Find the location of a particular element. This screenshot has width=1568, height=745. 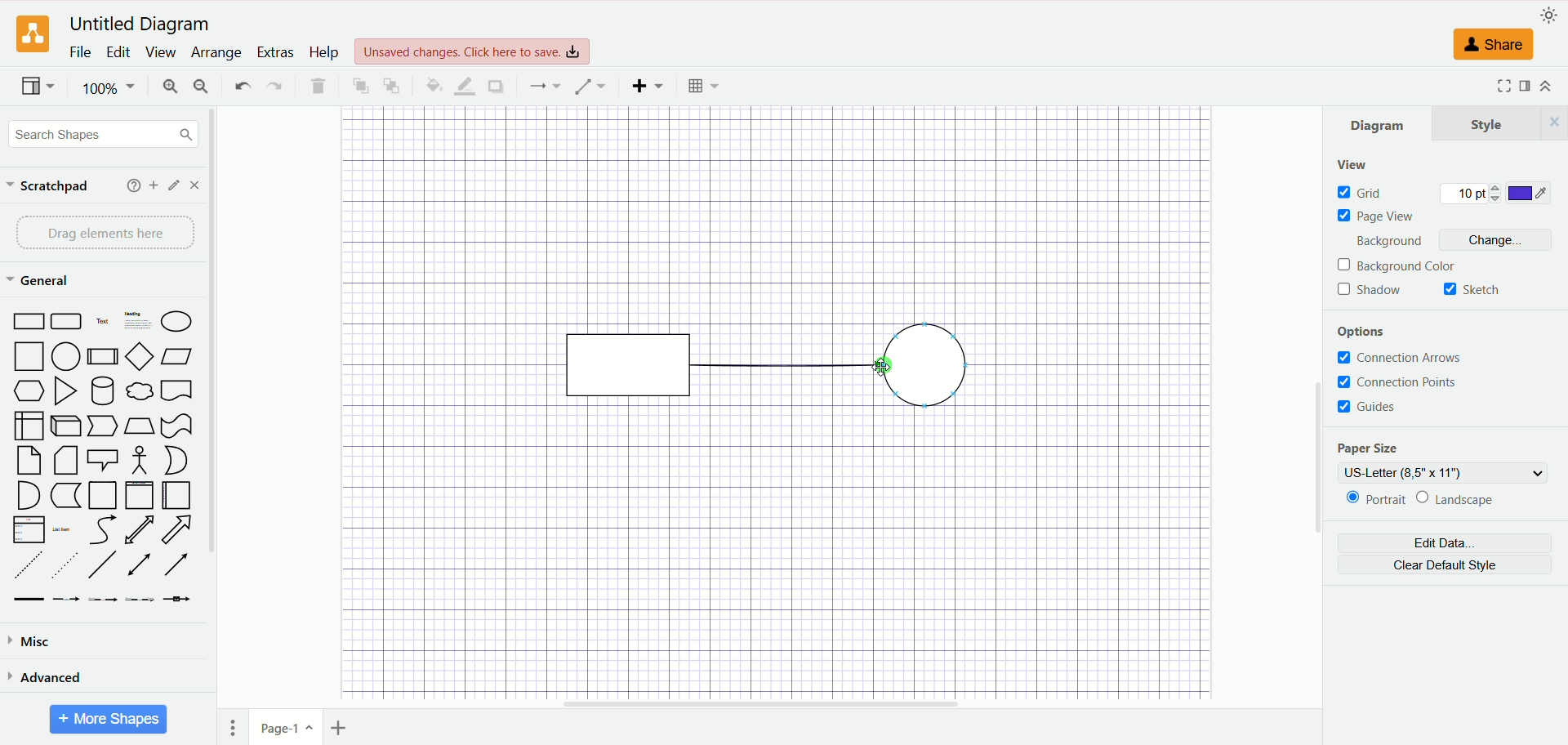

paper size is located at coordinates (1370, 448).